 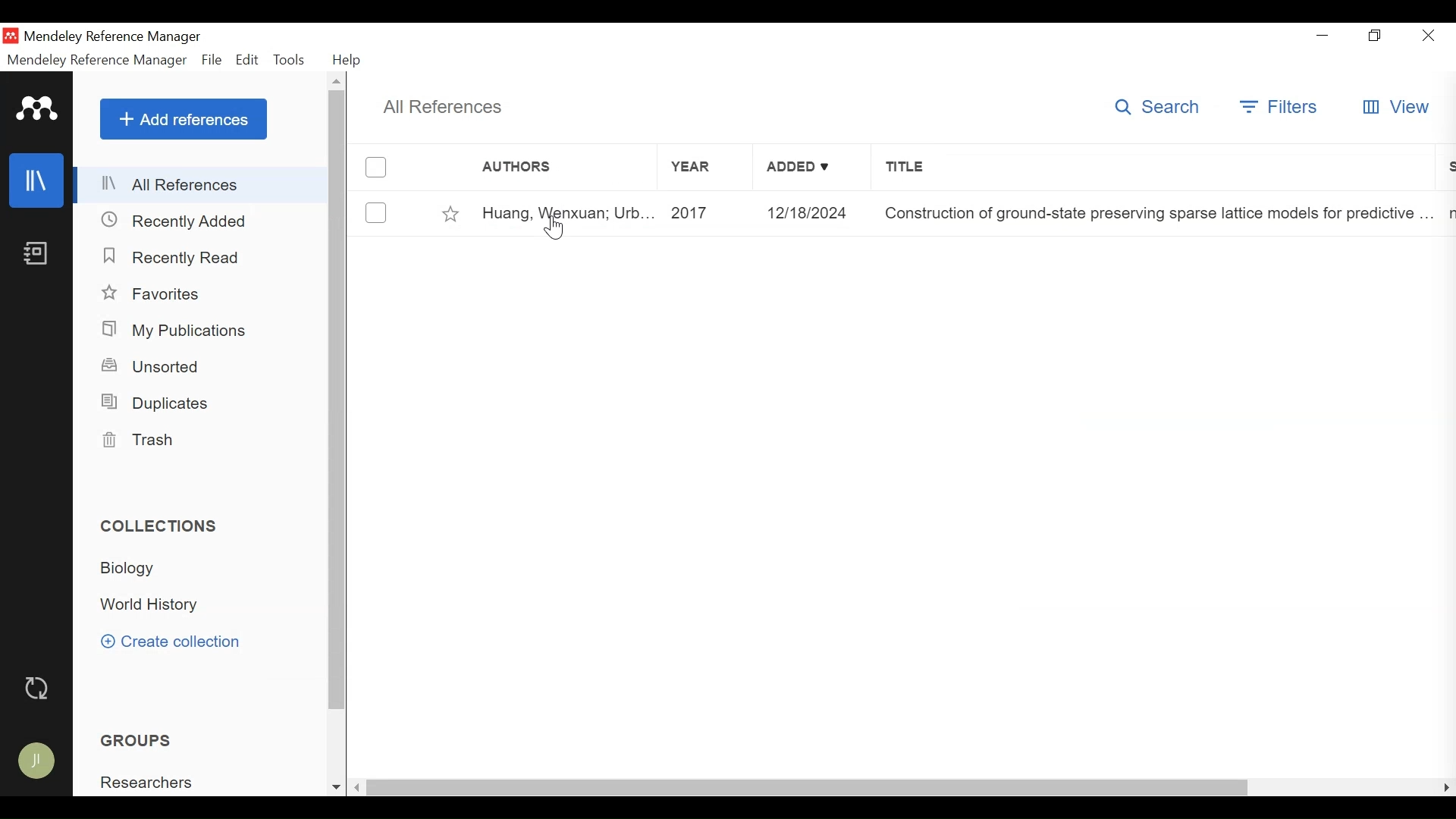 I want to click on biology, so click(x=133, y=569).